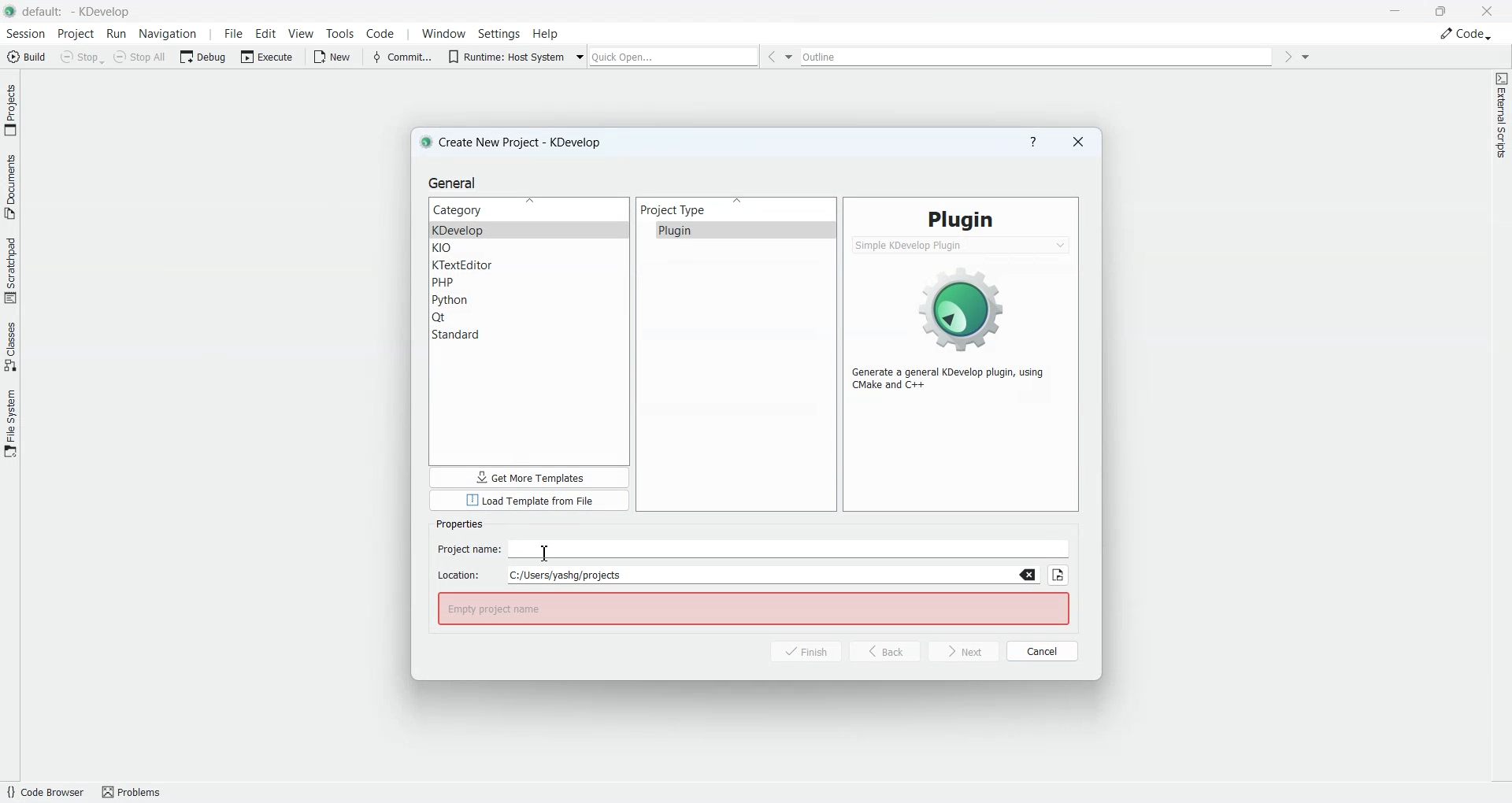 The height and width of the screenshot is (803, 1512). Describe the element at coordinates (10, 422) in the screenshot. I see `File System` at that location.